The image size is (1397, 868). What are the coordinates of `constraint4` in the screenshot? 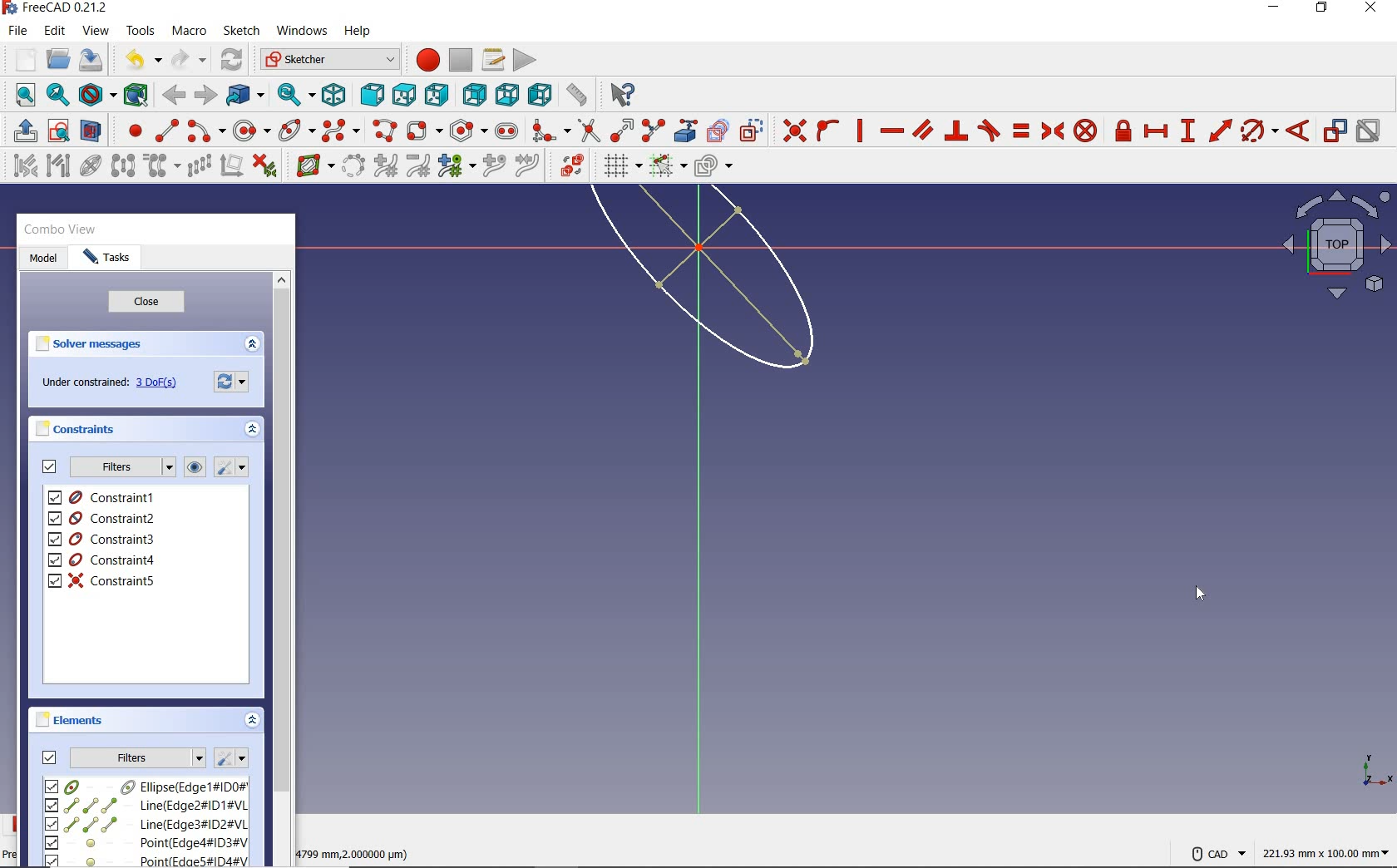 It's located at (102, 560).